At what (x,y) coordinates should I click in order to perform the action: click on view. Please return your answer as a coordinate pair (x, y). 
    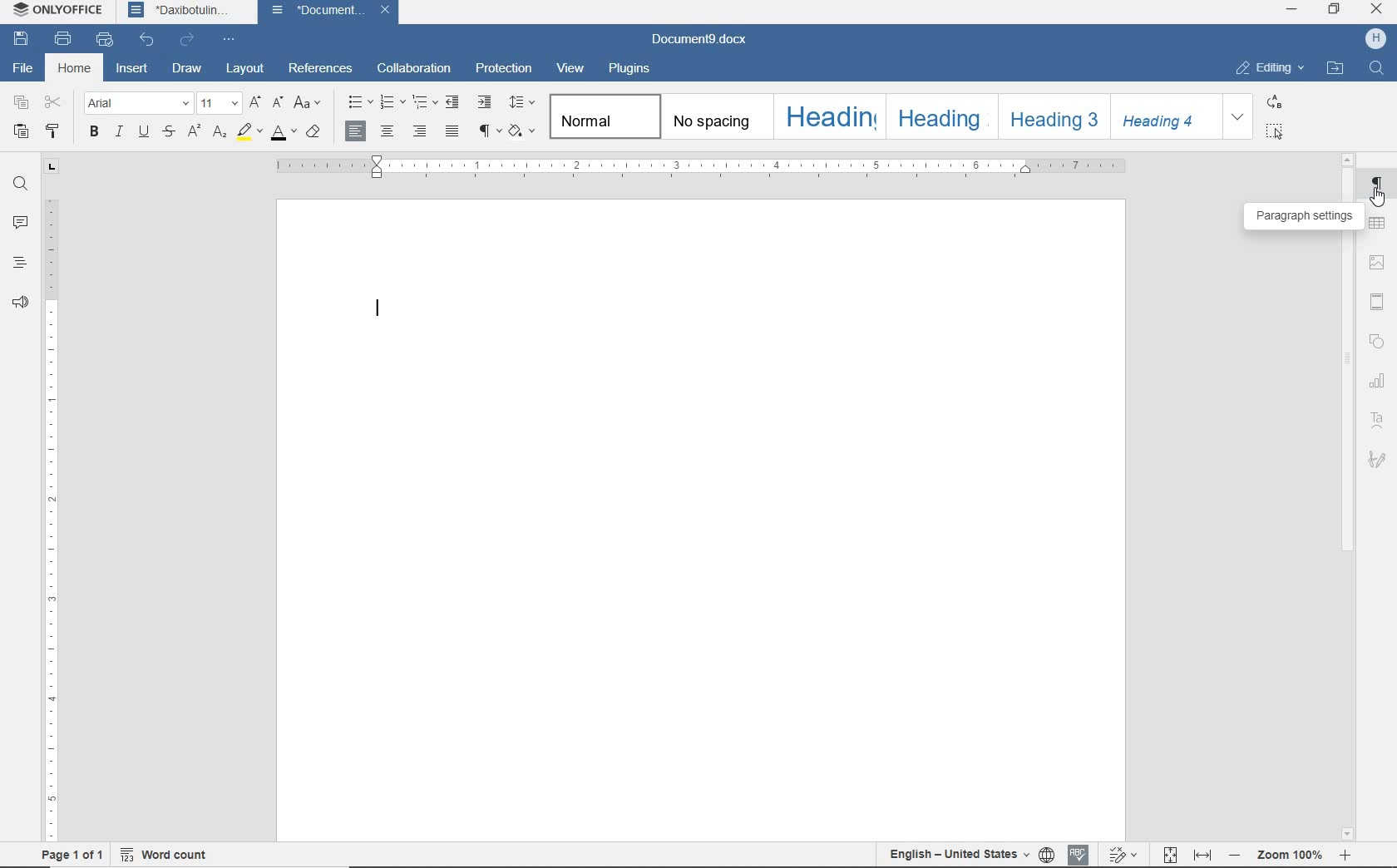
    Looking at the image, I should click on (570, 69).